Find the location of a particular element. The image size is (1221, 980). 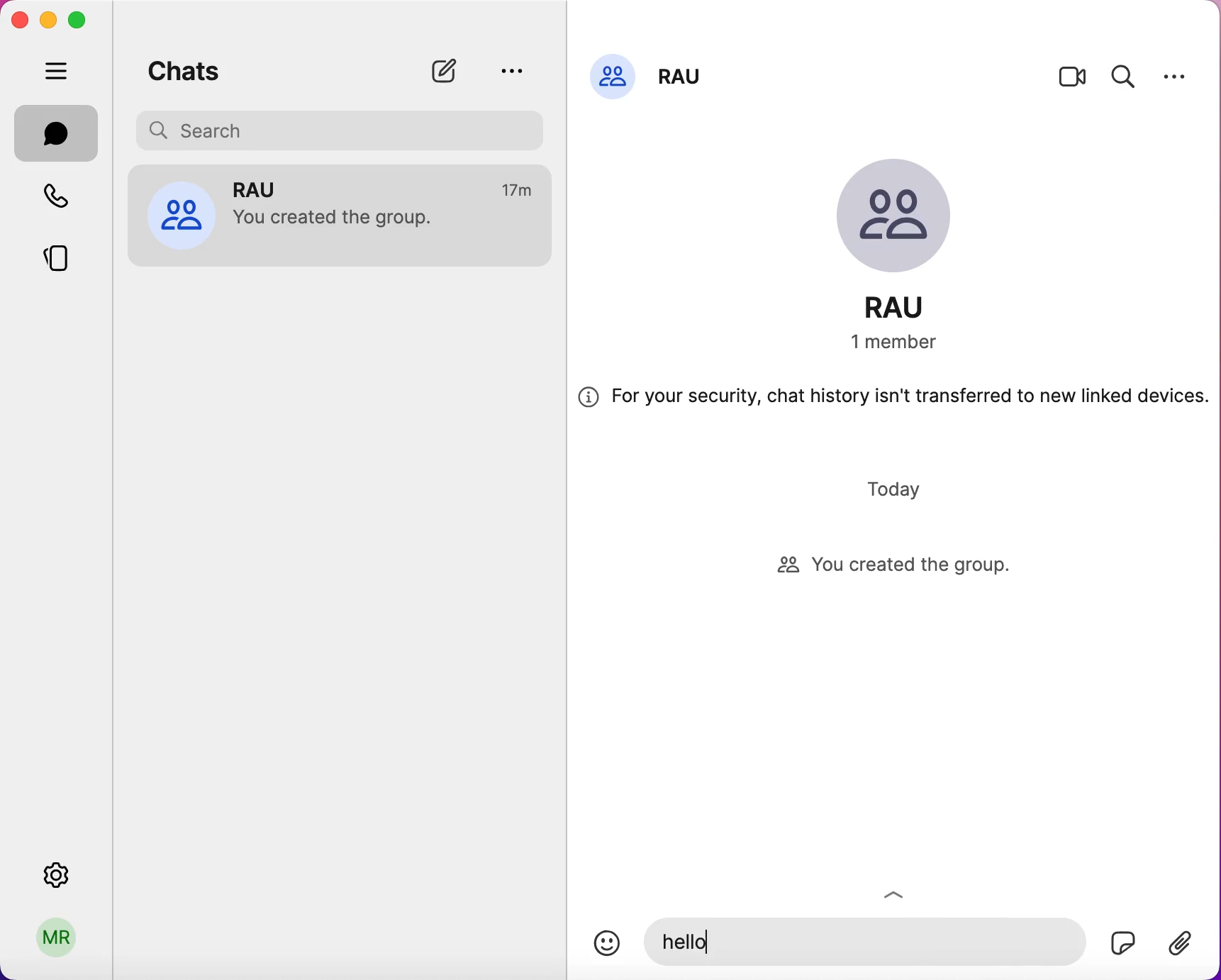

for your security, chat history isn't transferred is located at coordinates (893, 402).